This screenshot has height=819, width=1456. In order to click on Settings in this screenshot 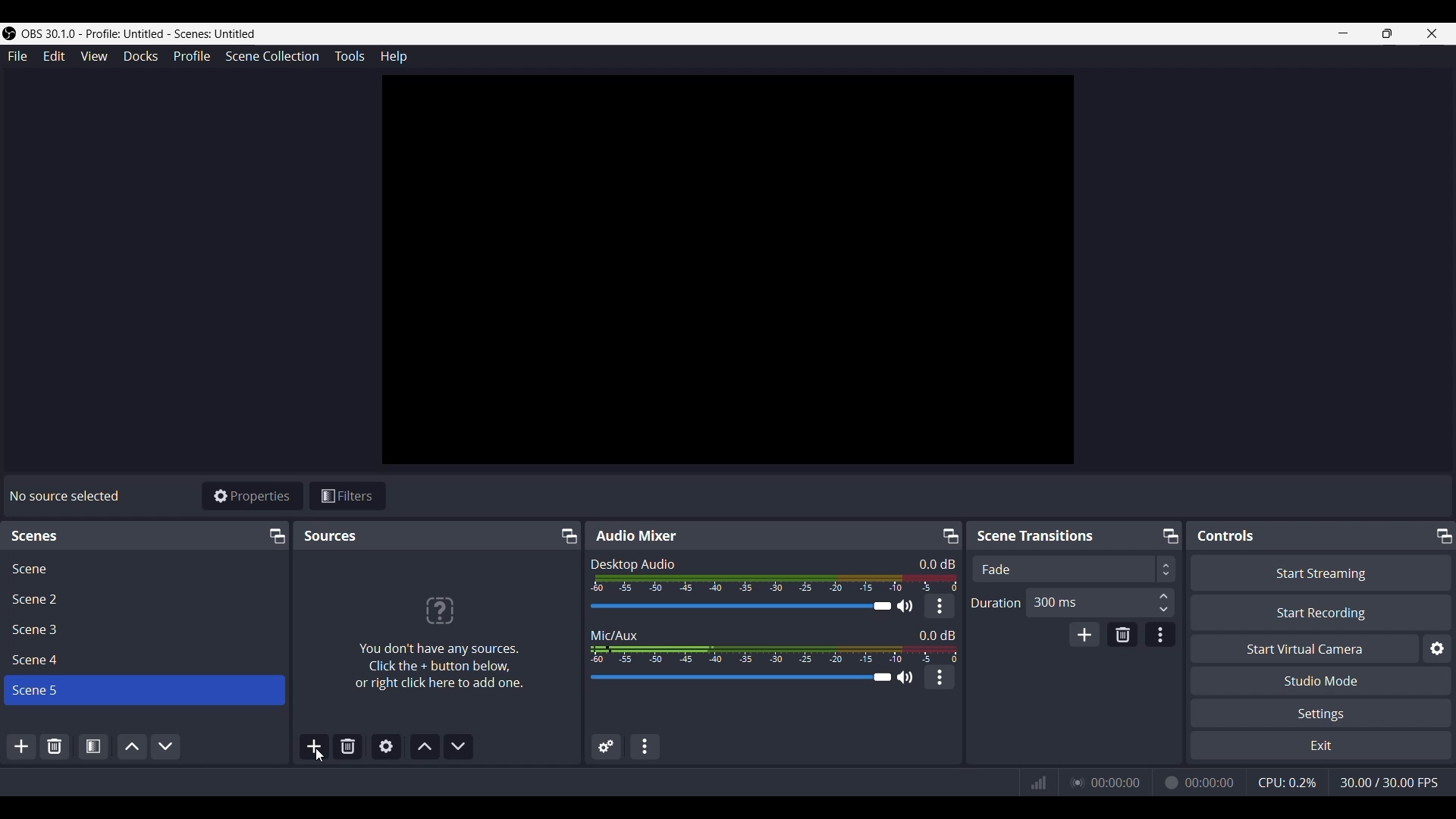, I will do `click(1436, 647)`.